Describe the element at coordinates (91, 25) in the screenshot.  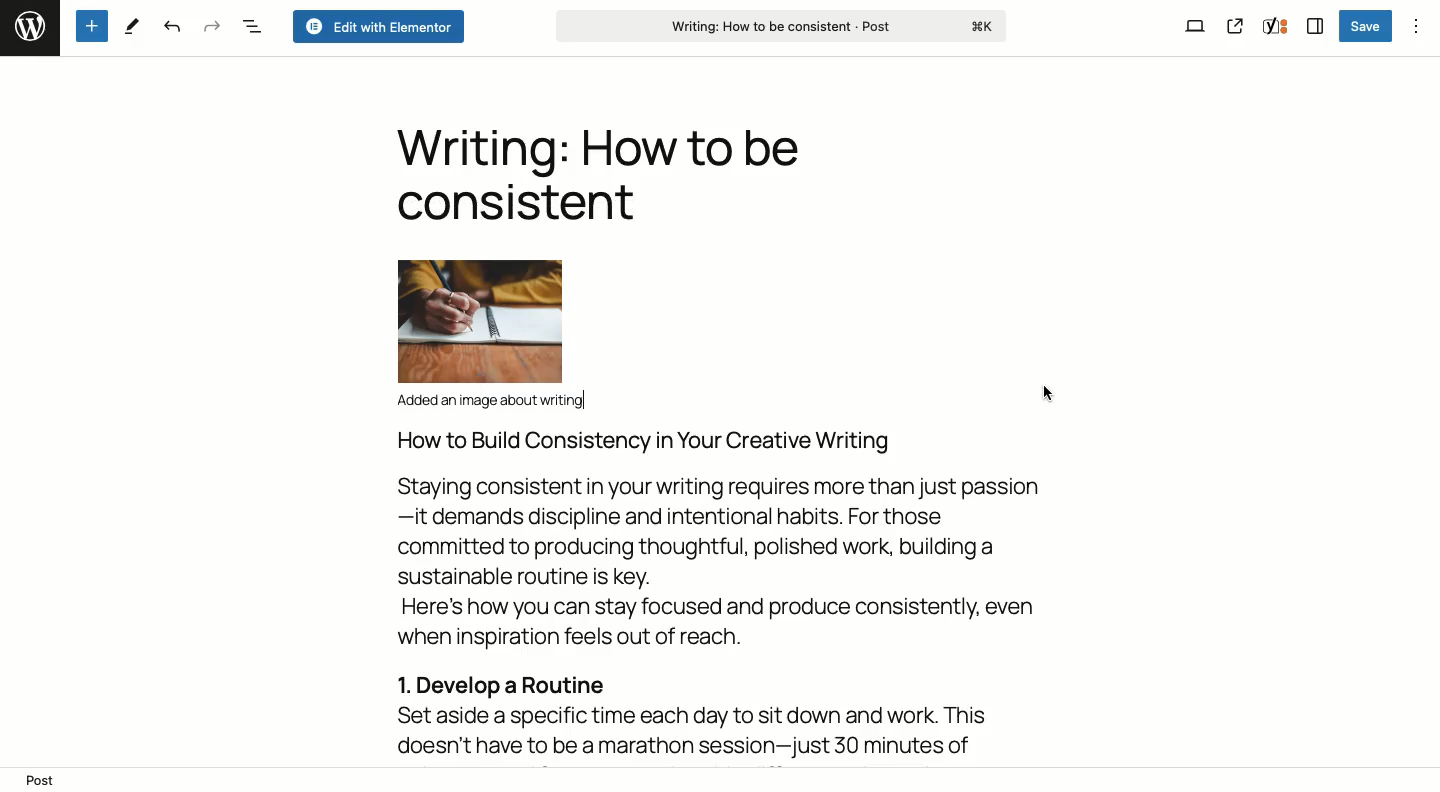
I see `Add new block` at that location.